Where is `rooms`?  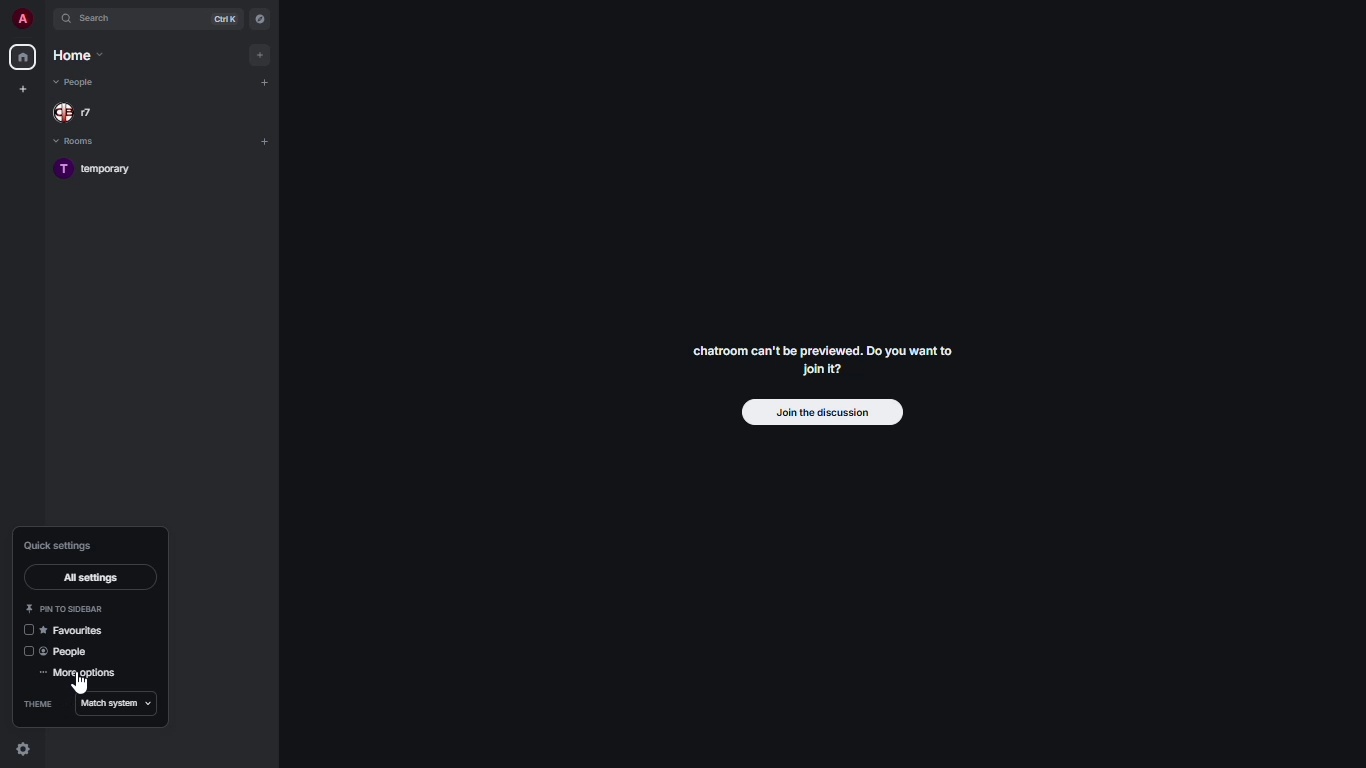 rooms is located at coordinates (78, 142).